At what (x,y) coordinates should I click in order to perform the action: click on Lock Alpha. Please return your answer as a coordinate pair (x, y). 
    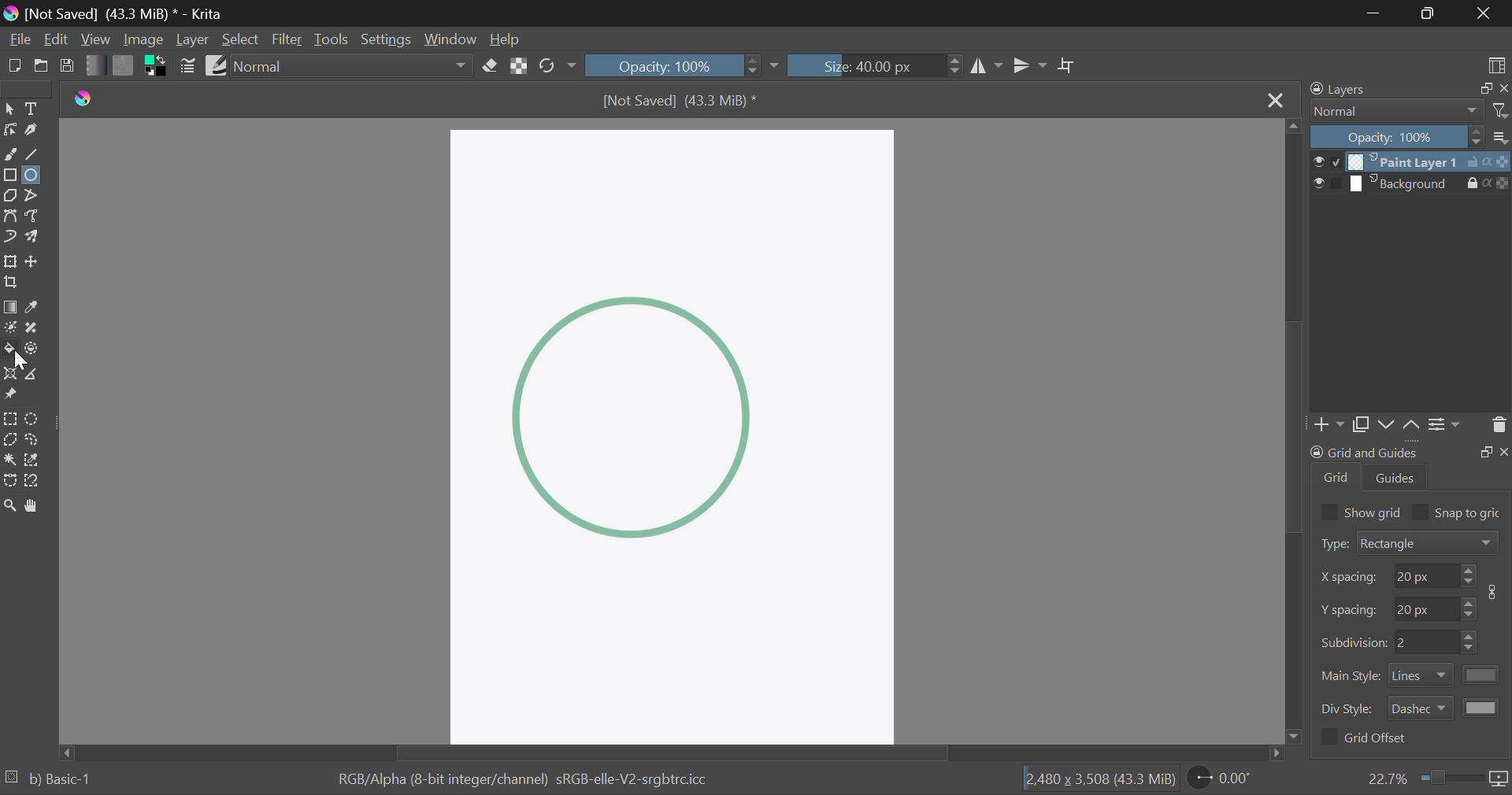
    Looking at the image, I should click on (520, 68).